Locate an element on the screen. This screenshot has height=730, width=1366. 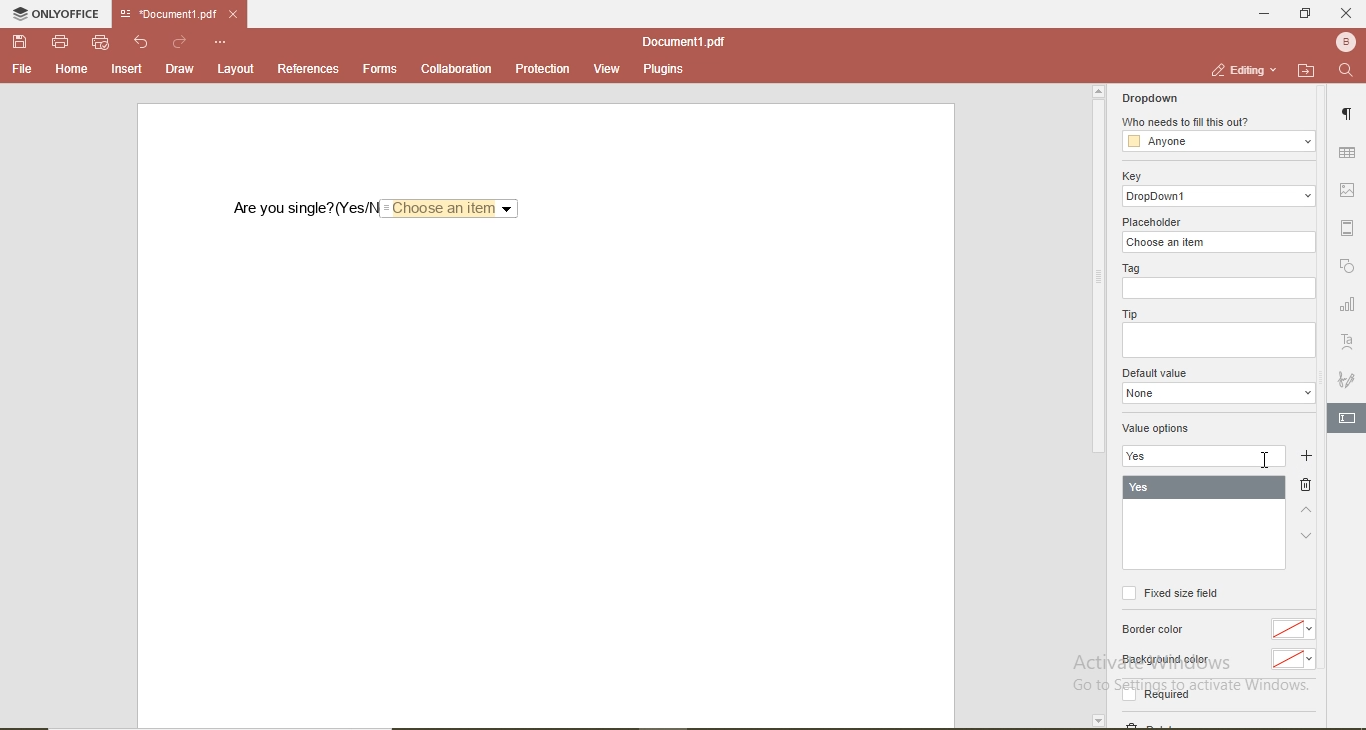
placeholder is located at coordinates (1151, 220).